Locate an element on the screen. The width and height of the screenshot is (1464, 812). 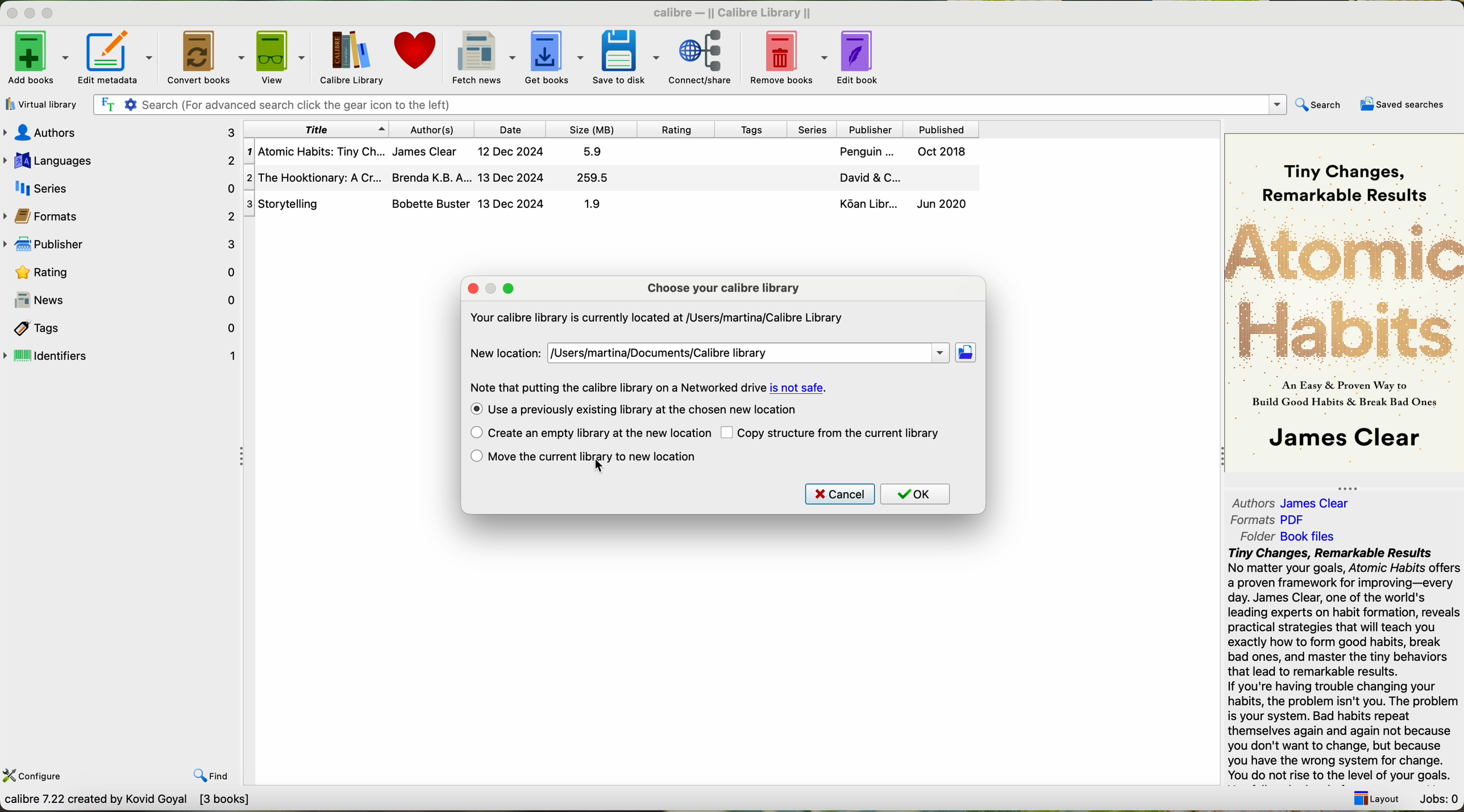
Minimize is located at coordinates (13, 14).